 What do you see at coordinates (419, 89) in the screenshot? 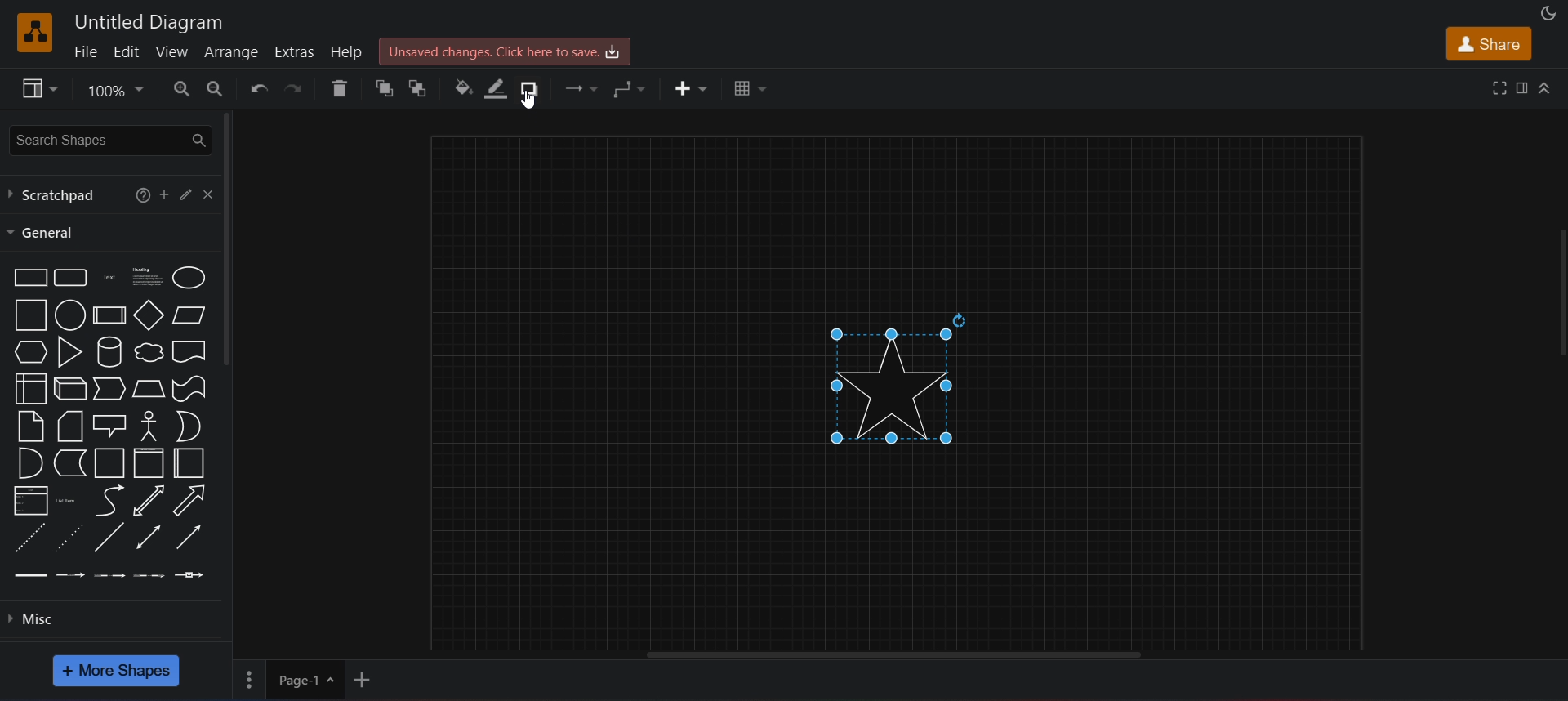
I see `to back` at bounding box center [419, 89].